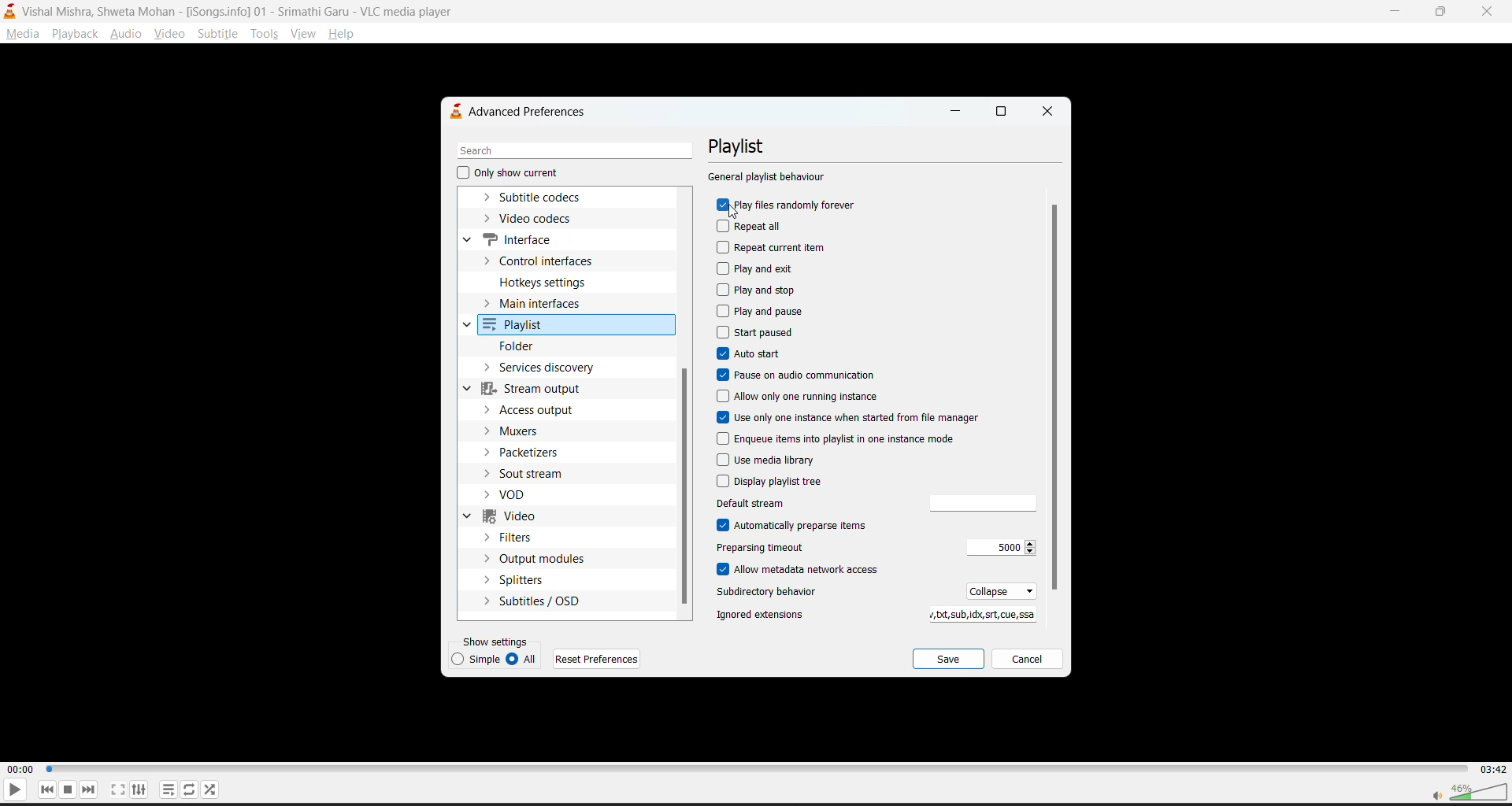 The width and height of the screenshot is (1512, 806). Describe the element at coordinates (758, 332) in the screenshot. I see `start paused` at that location.